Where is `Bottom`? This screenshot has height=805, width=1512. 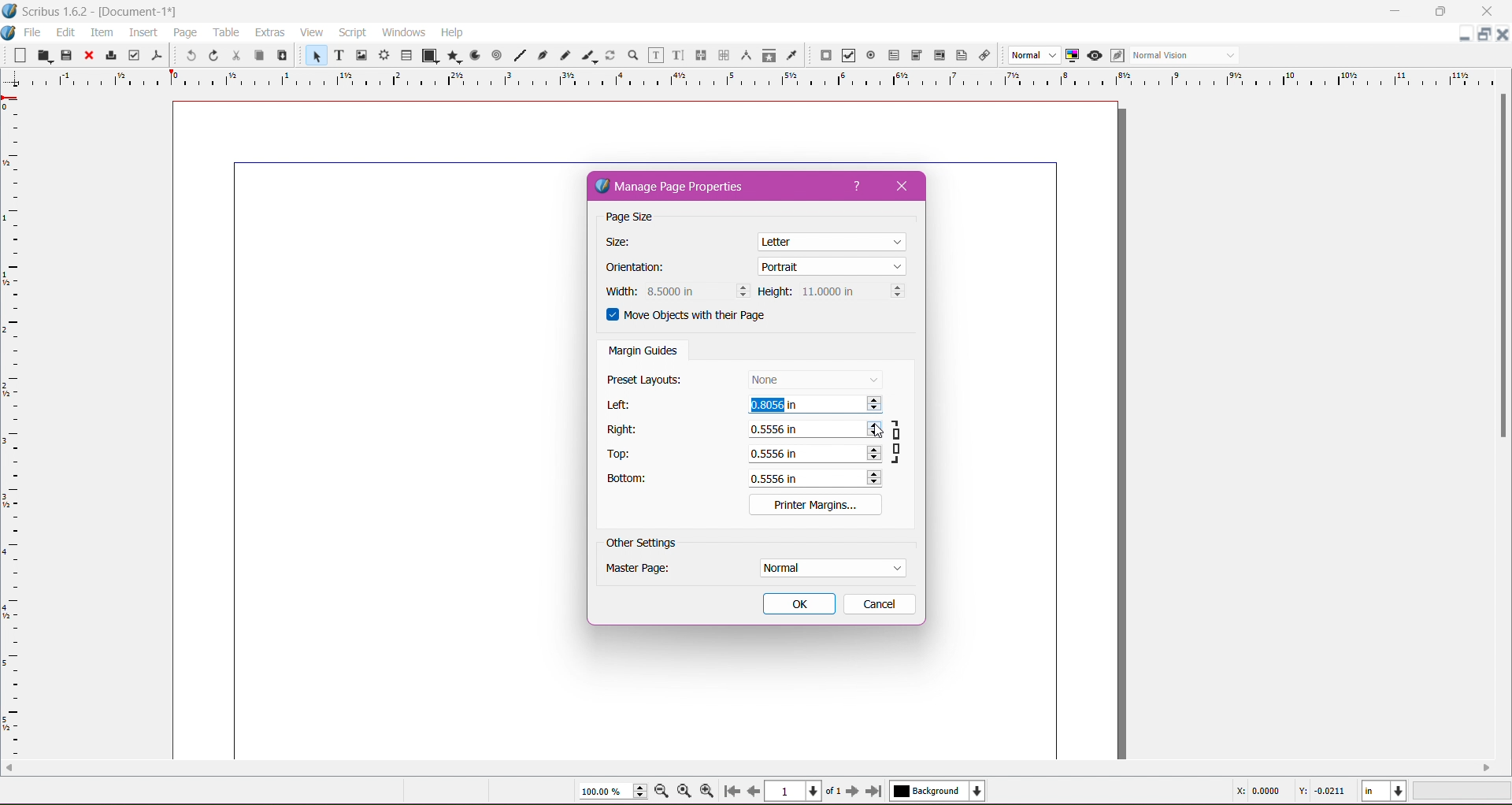
Bottom is located at coordinates (636, 480).